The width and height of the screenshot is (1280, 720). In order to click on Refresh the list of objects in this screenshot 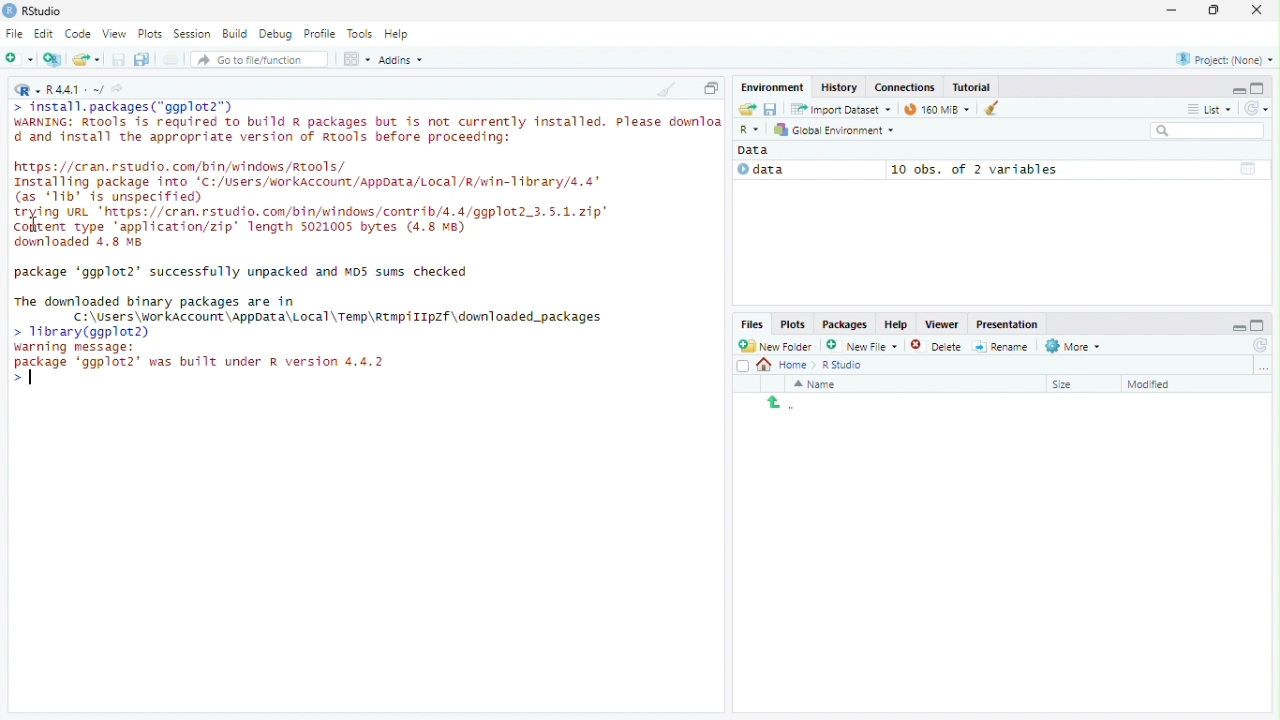, I will do `click(1256, 107)`.